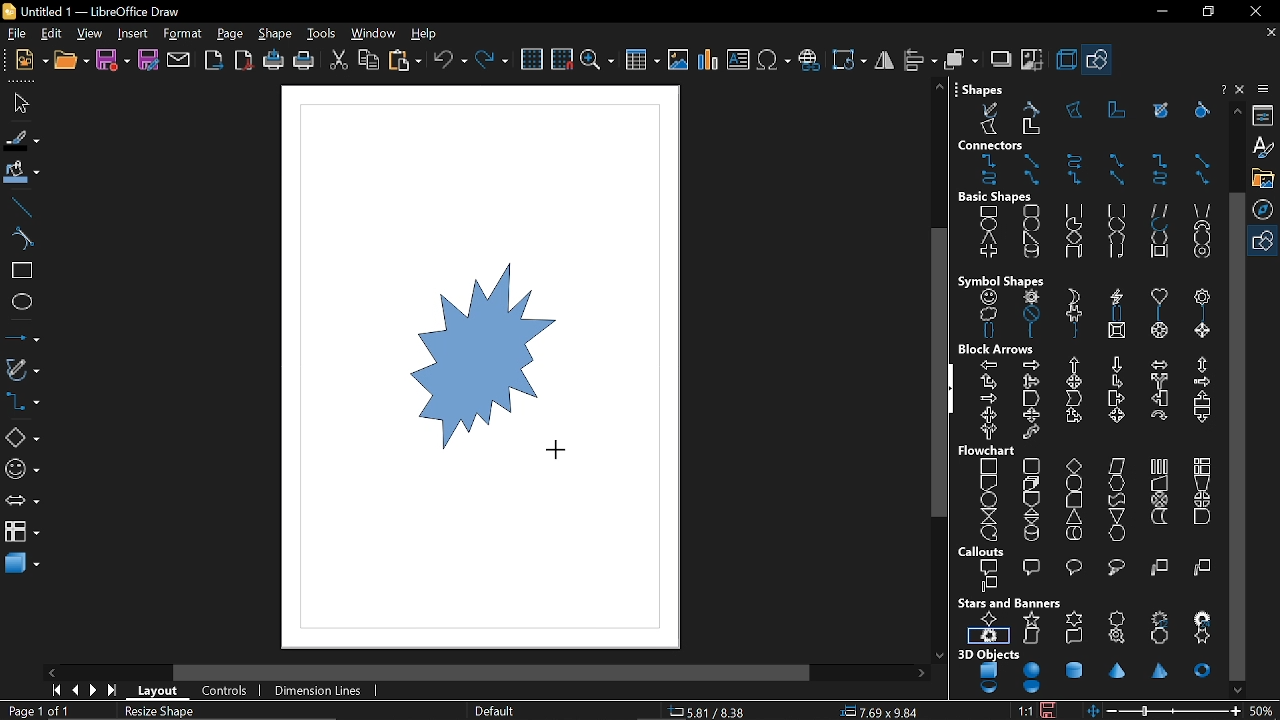 The width and height of the screenshot is (1280, 720). Describe the element at coordinates (496, 671) in the screenshot. I see `Horizontal scroll bar` at that location.